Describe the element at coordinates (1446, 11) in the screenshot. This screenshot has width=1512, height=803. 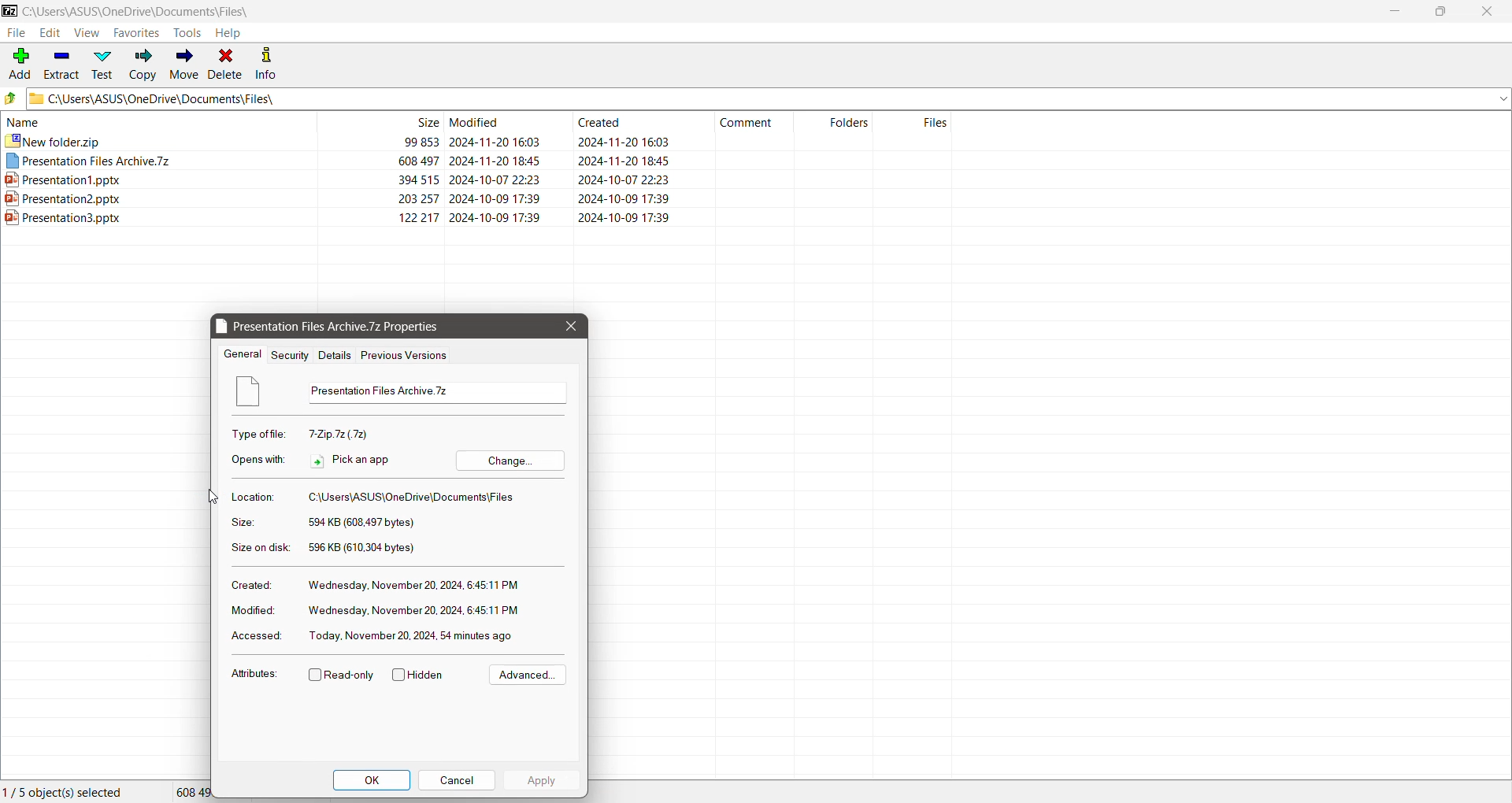
I see `Restore Down` at that location.